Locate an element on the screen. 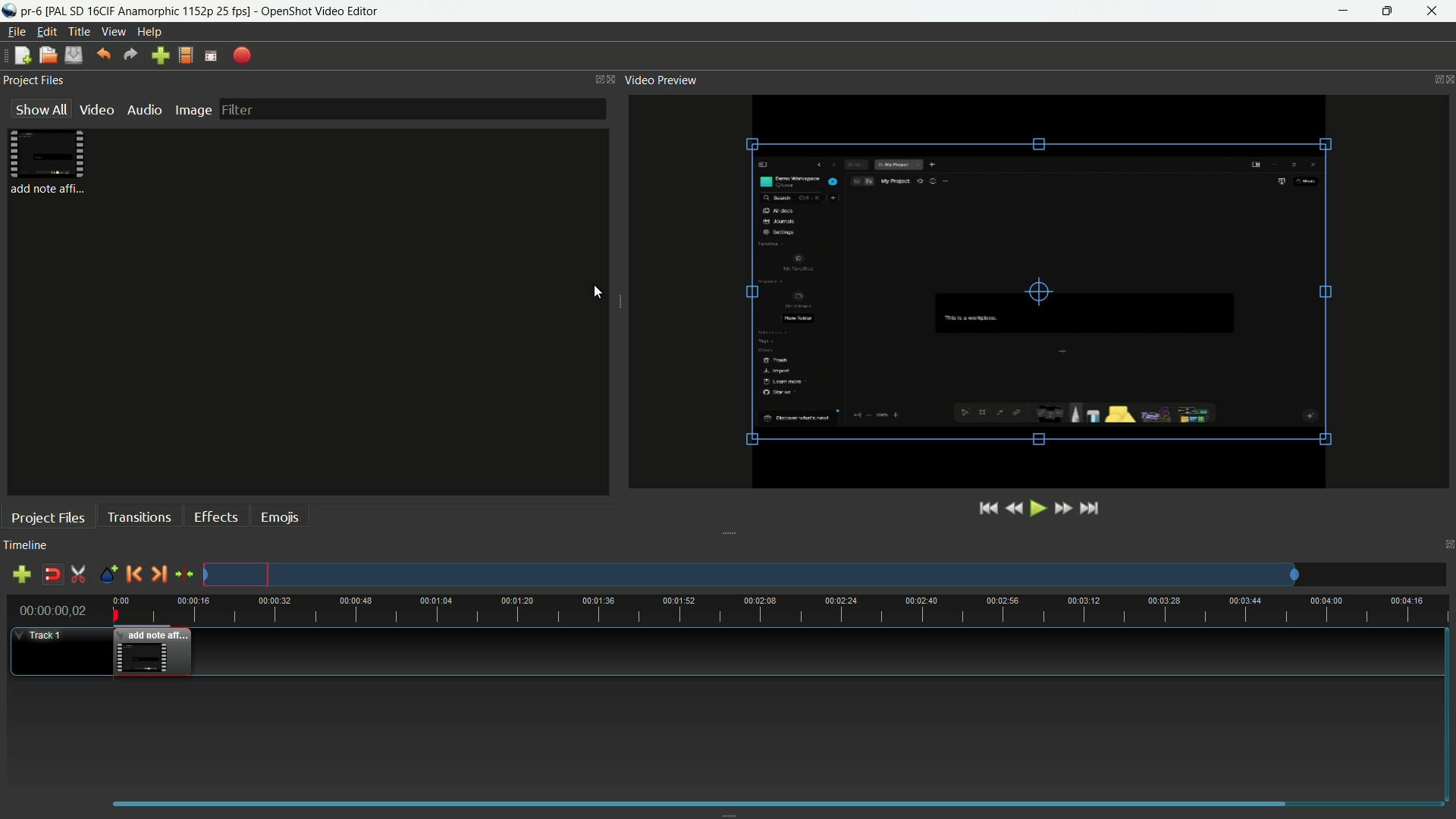 Image resolution: width=1456 pixels, height=819 pixels. time is located at coordinates (780, 608).